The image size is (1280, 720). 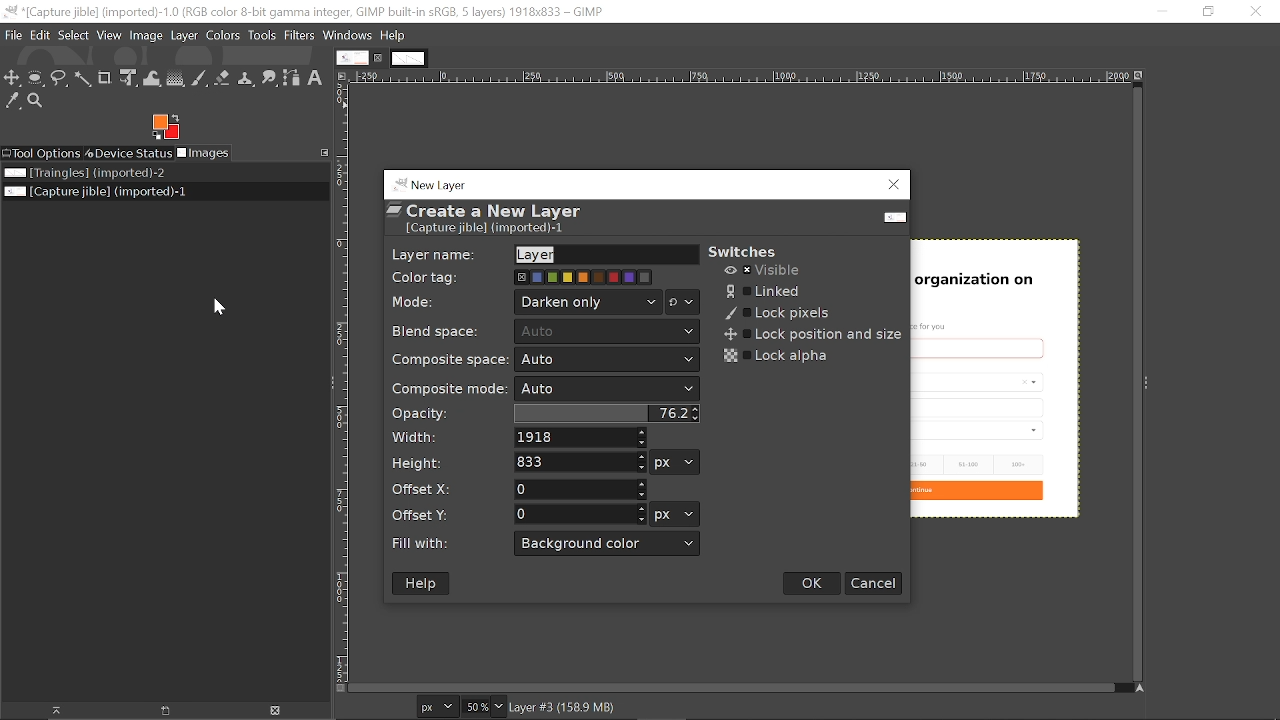 What do you see at coordinates (418, 437) in the screenshot?
I see `‘Width:` at bounding box center [418, 437].